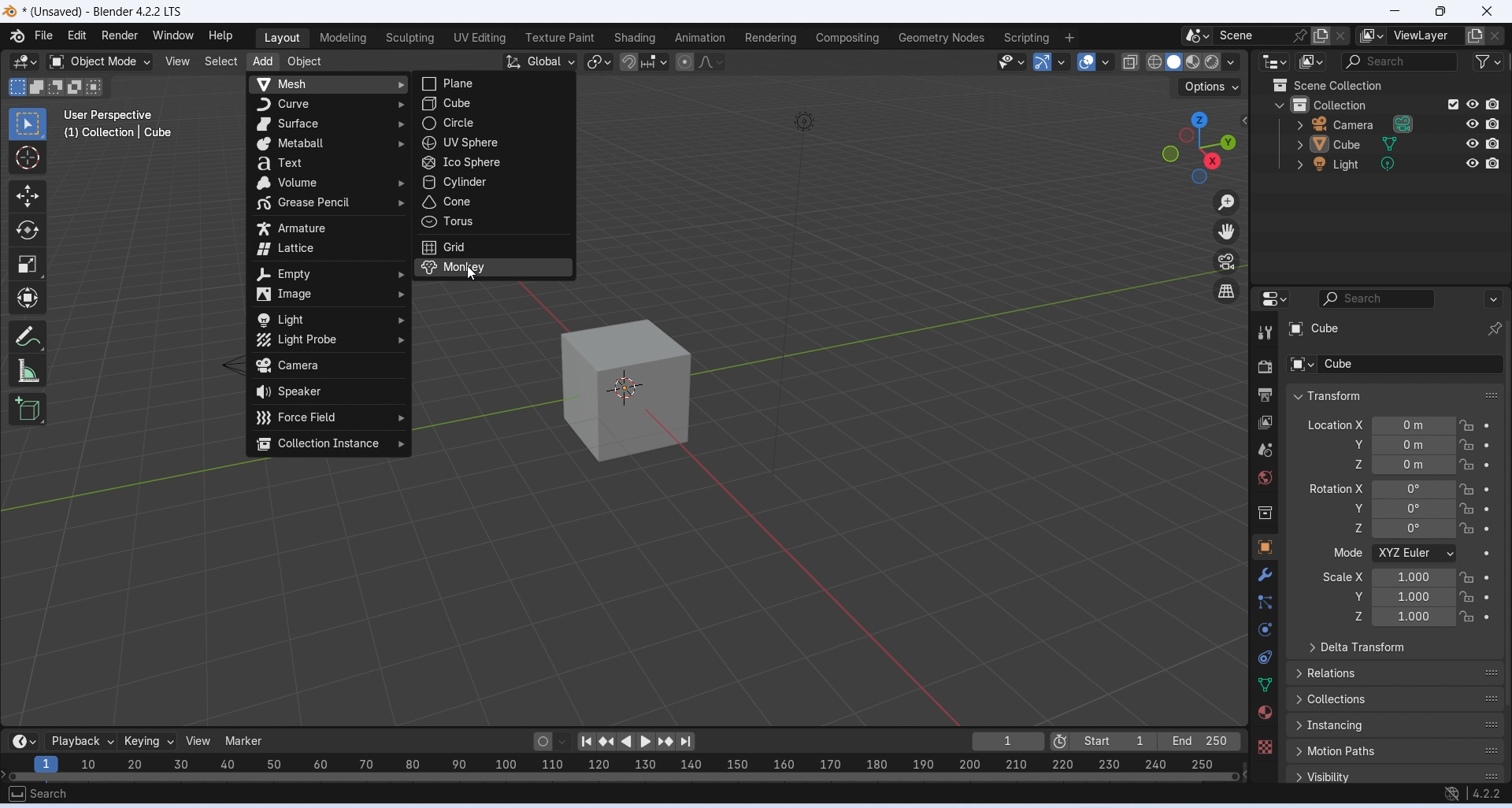 Image resolution: width=1512 pixels, height=808 pixels. I want to click on light probe, so click(330, 340).